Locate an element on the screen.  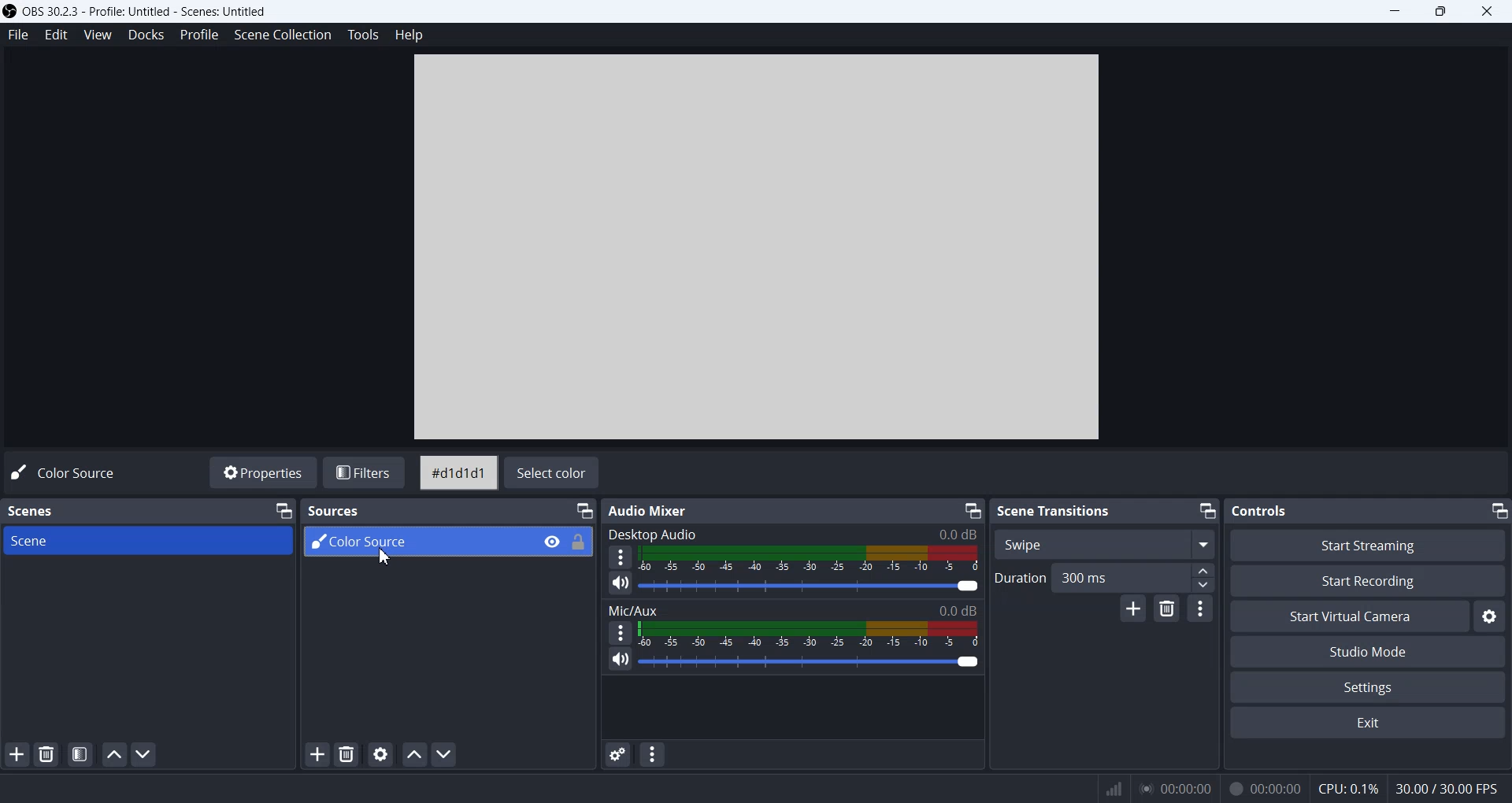
Volume Adjuster is located at coordinates (809, 661).